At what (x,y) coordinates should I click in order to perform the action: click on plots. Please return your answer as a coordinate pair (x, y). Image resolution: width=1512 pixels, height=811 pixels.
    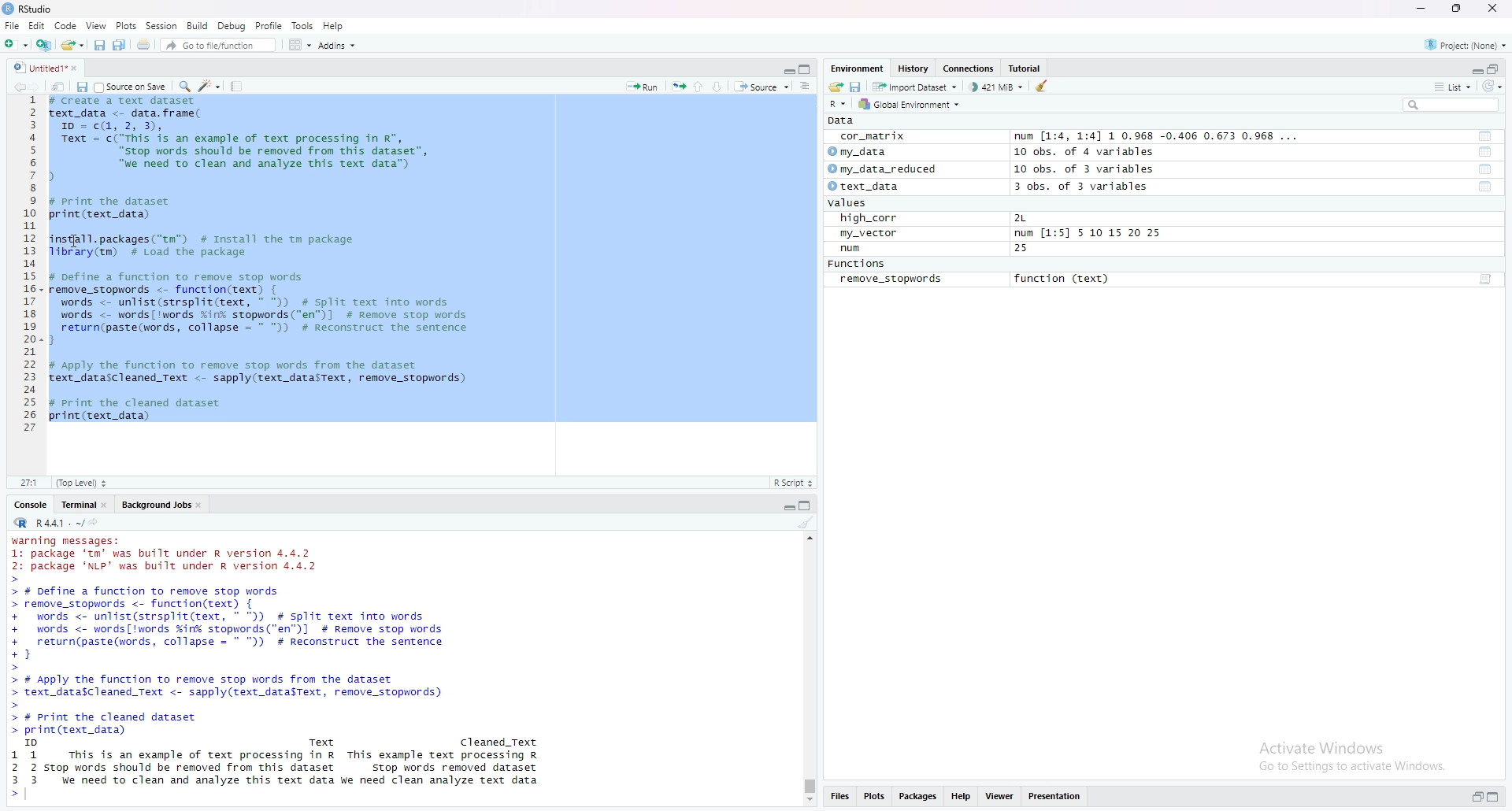
    Looking at the image, I should click on (126, 27).